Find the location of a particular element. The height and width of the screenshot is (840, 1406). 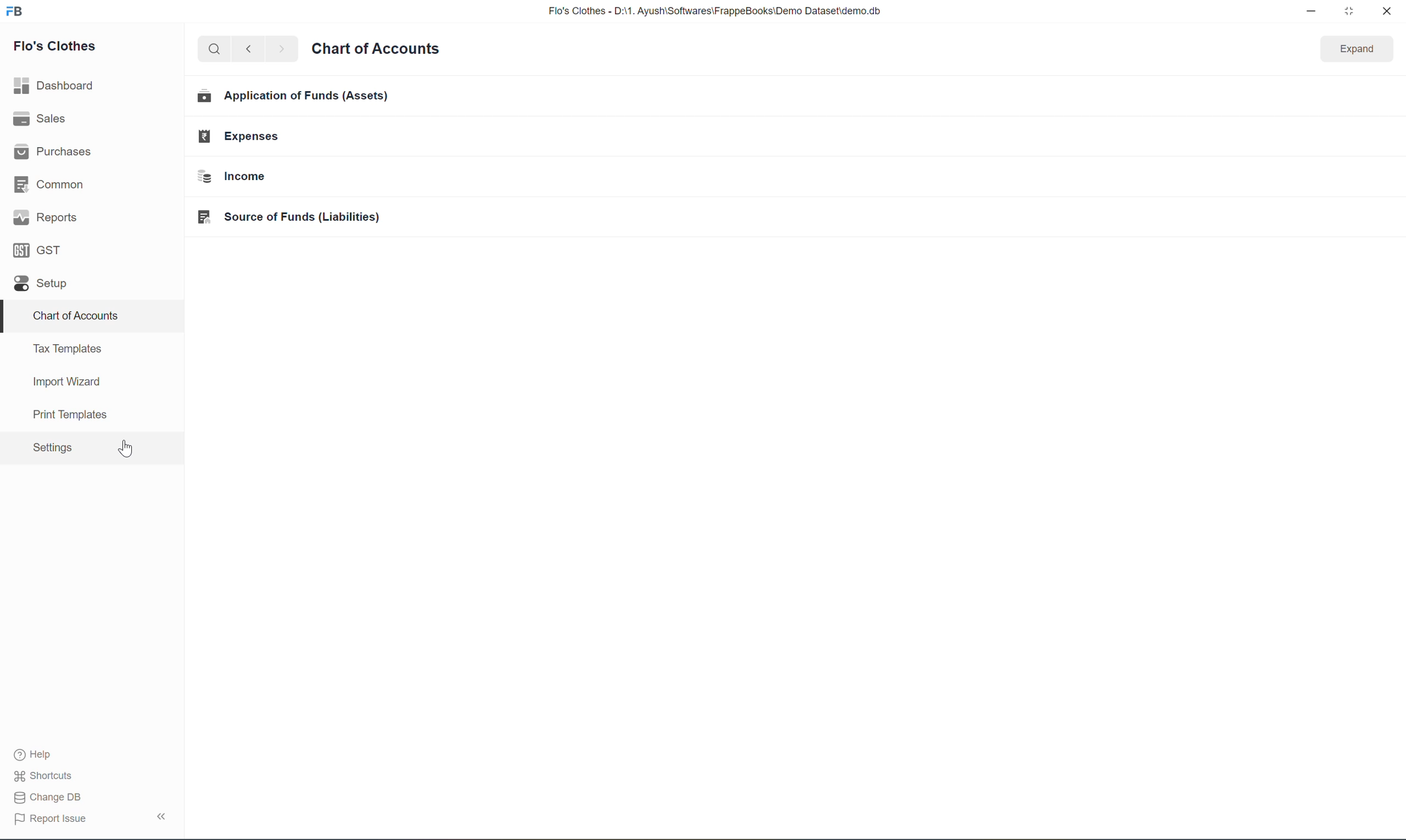

Expand is located at coordinates (1355, 49).